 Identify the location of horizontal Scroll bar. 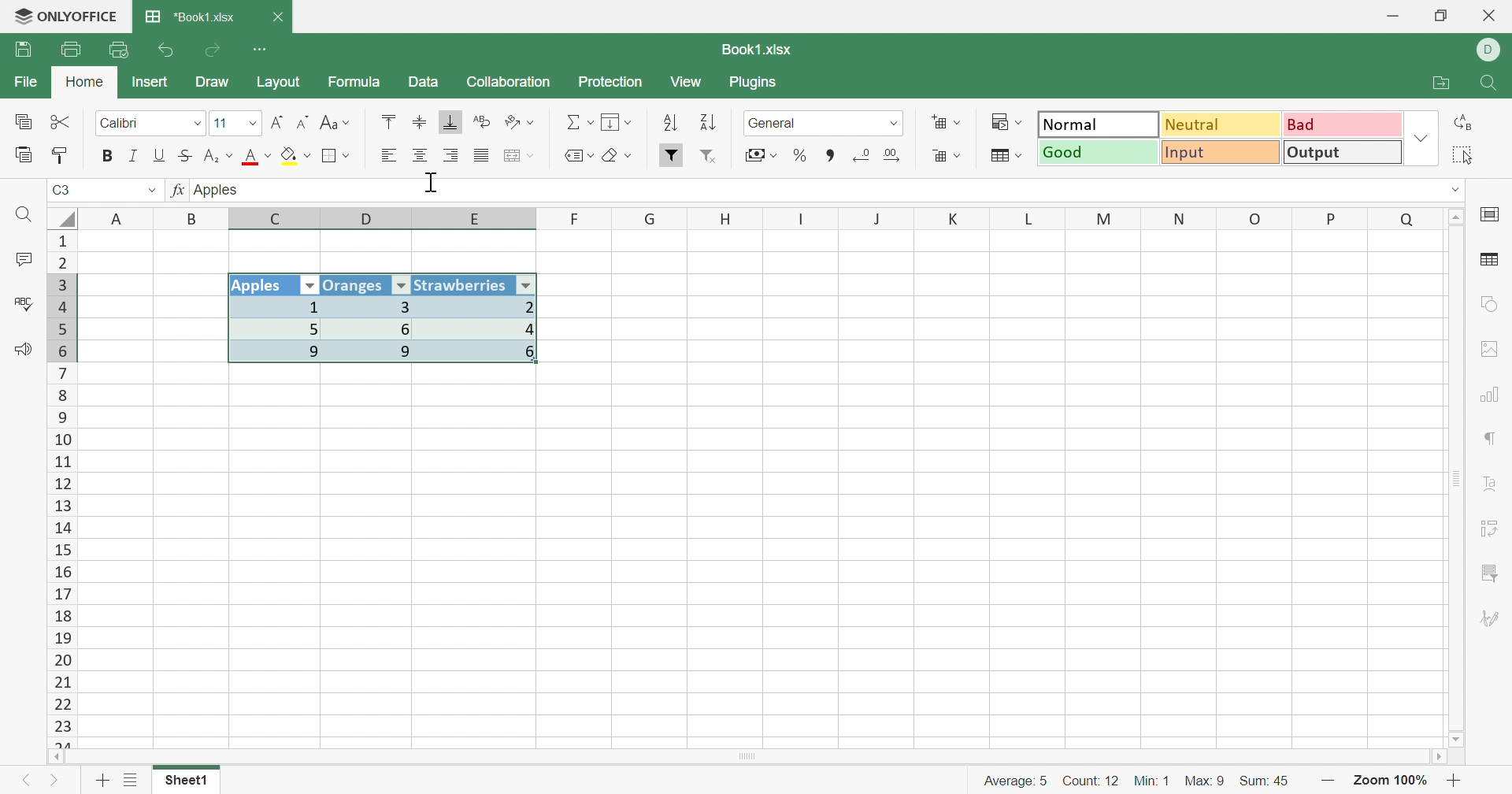
(752, 755).